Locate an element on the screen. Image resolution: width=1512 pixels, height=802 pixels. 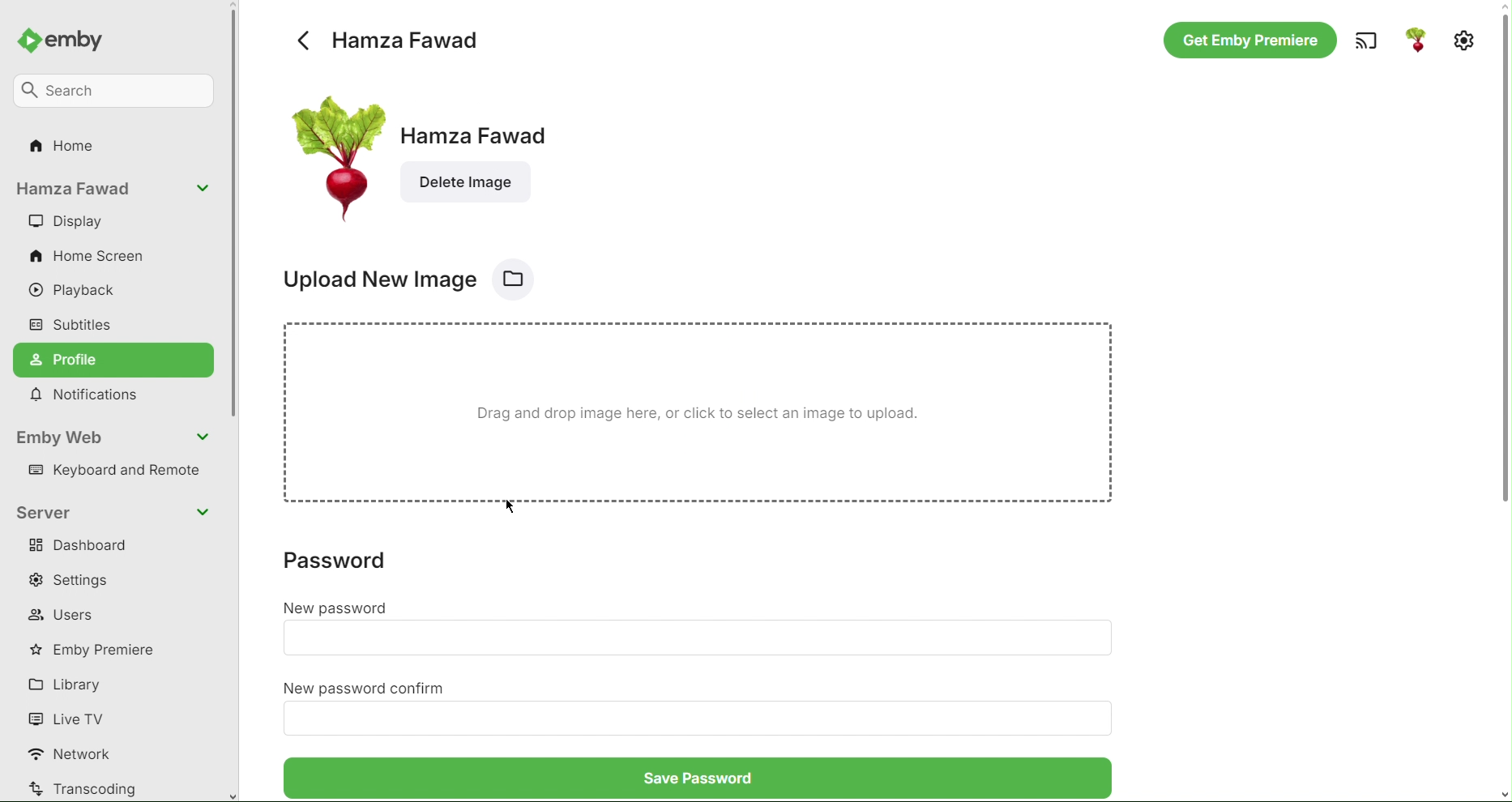
Settings is located at coordinates (1464, 38).